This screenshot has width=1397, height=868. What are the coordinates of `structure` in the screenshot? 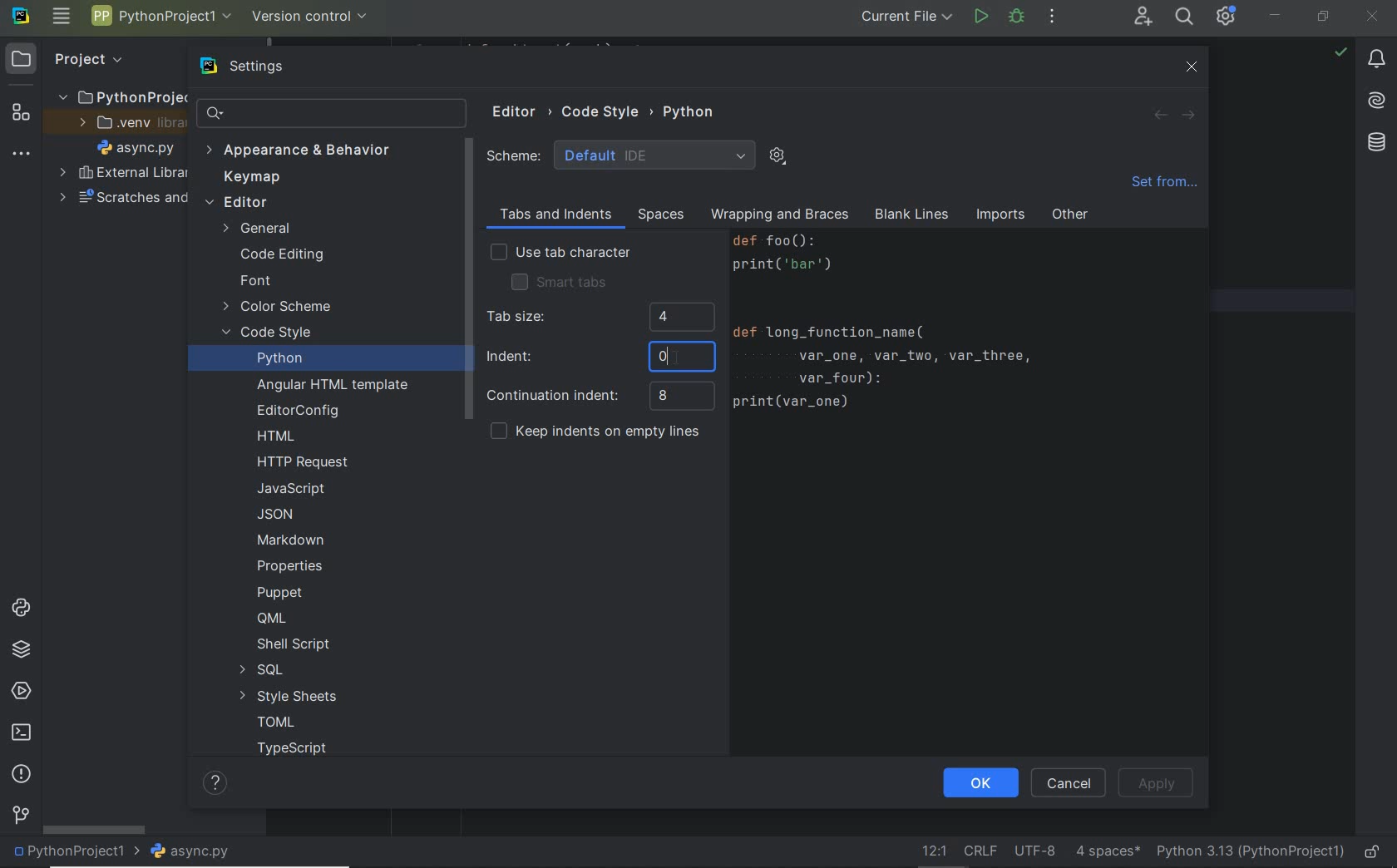 It's located at (19, 115).